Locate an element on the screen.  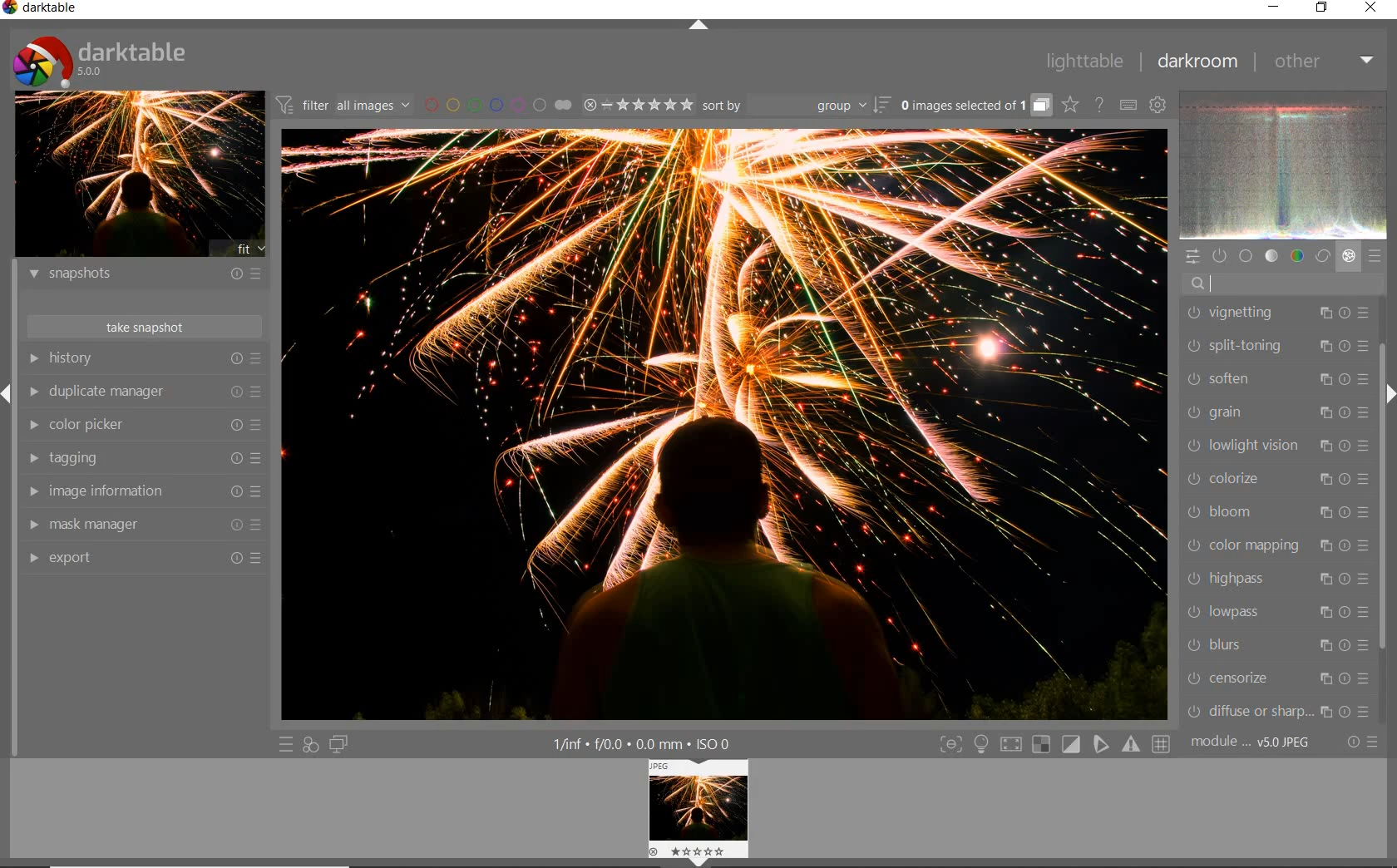
enable online help is located at coordinates (1102, 106).